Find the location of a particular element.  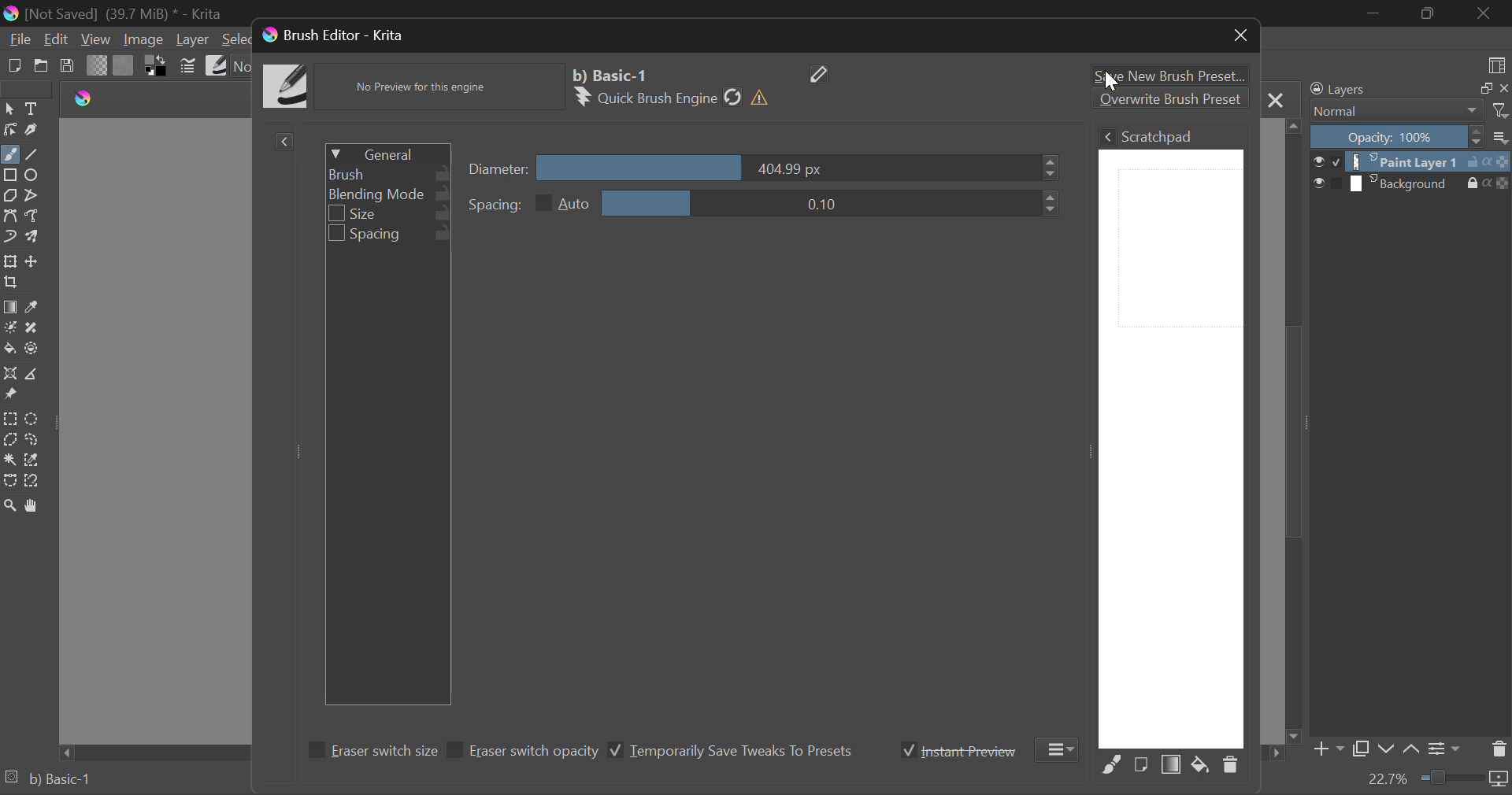

More Options is located at coordinates (1060, 749).